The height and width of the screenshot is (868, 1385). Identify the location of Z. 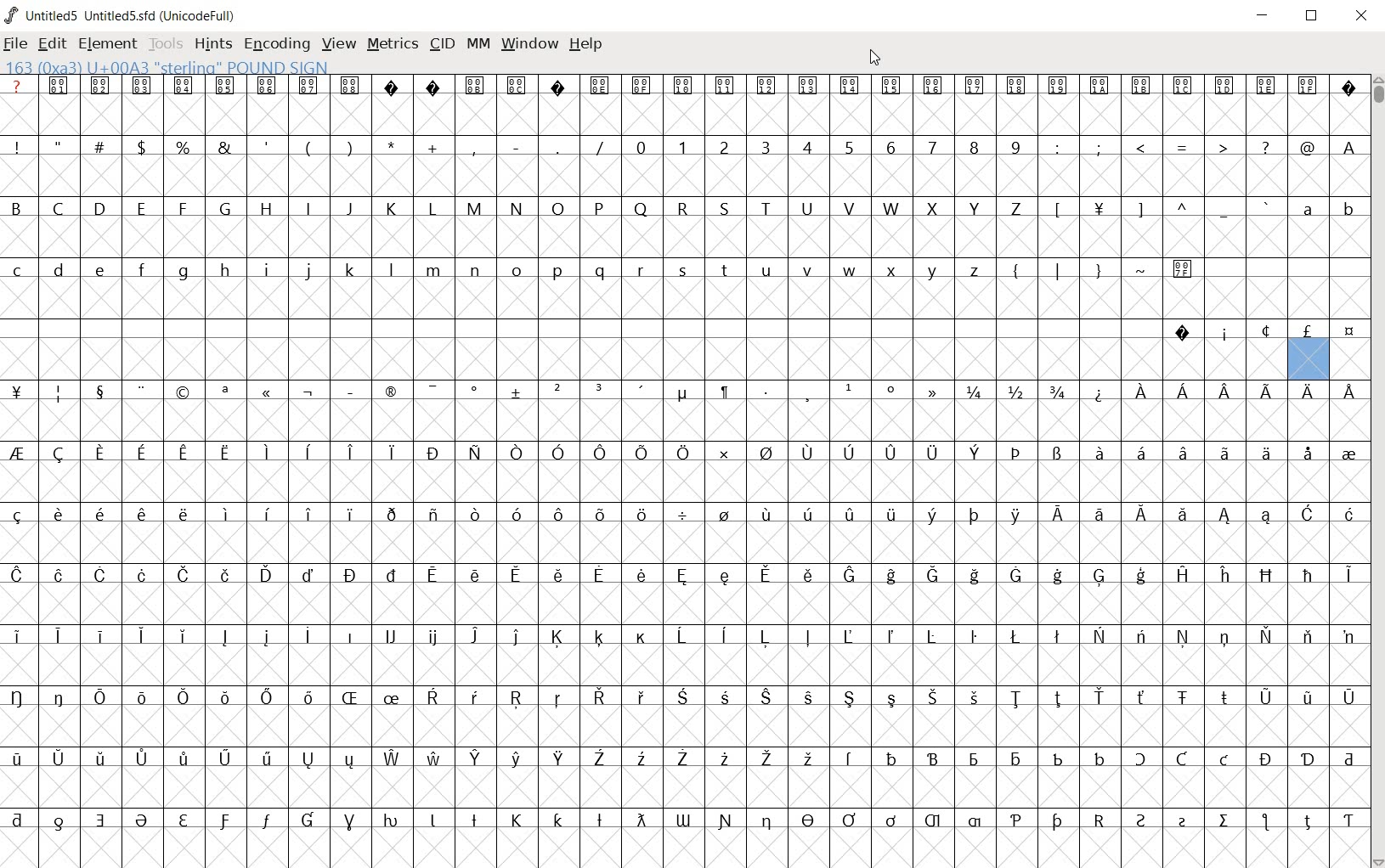
(1016, 210).